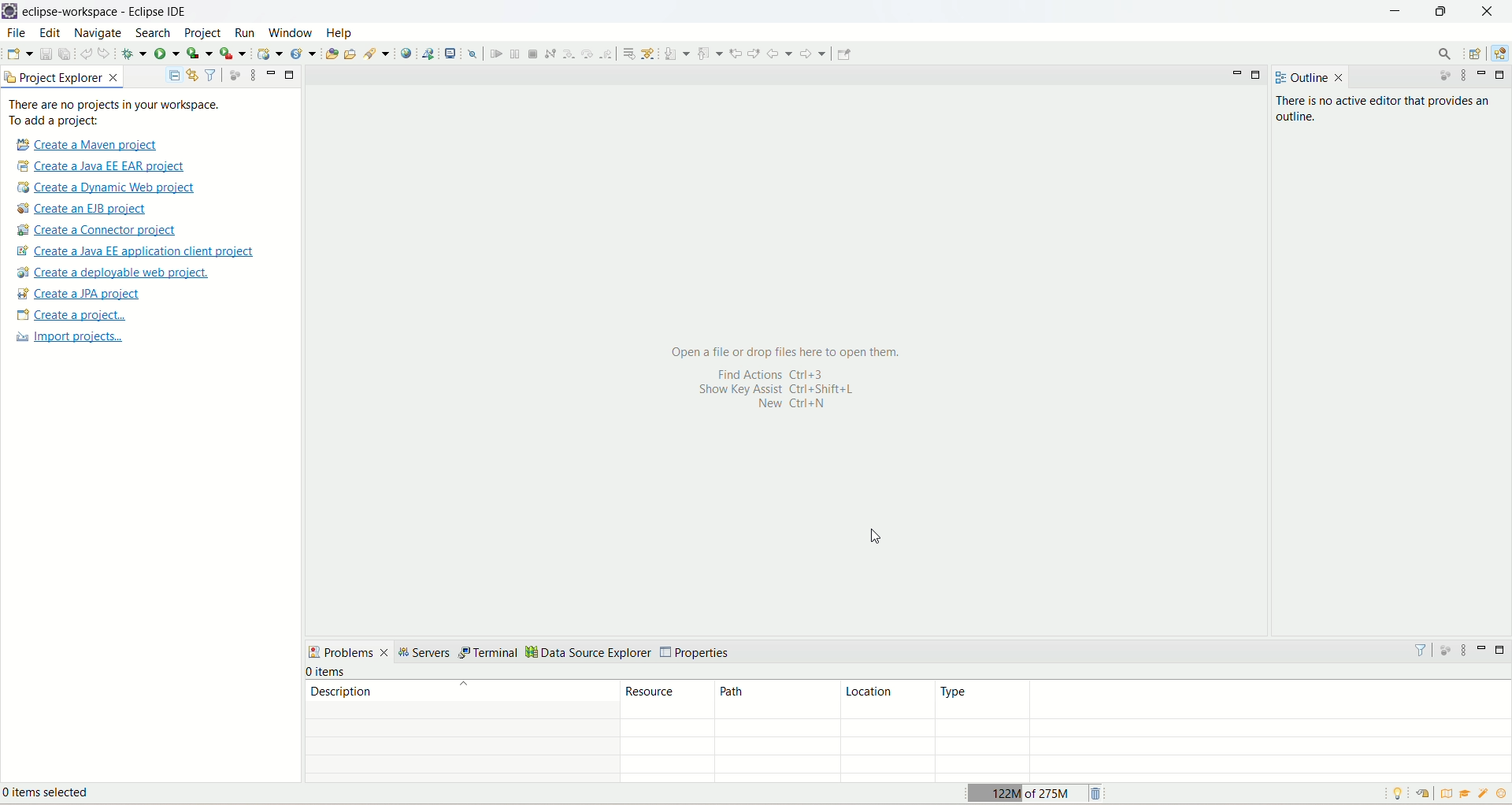 This screenshot has height=805, width=1512. I want to click on maximize, so click(291, 76).